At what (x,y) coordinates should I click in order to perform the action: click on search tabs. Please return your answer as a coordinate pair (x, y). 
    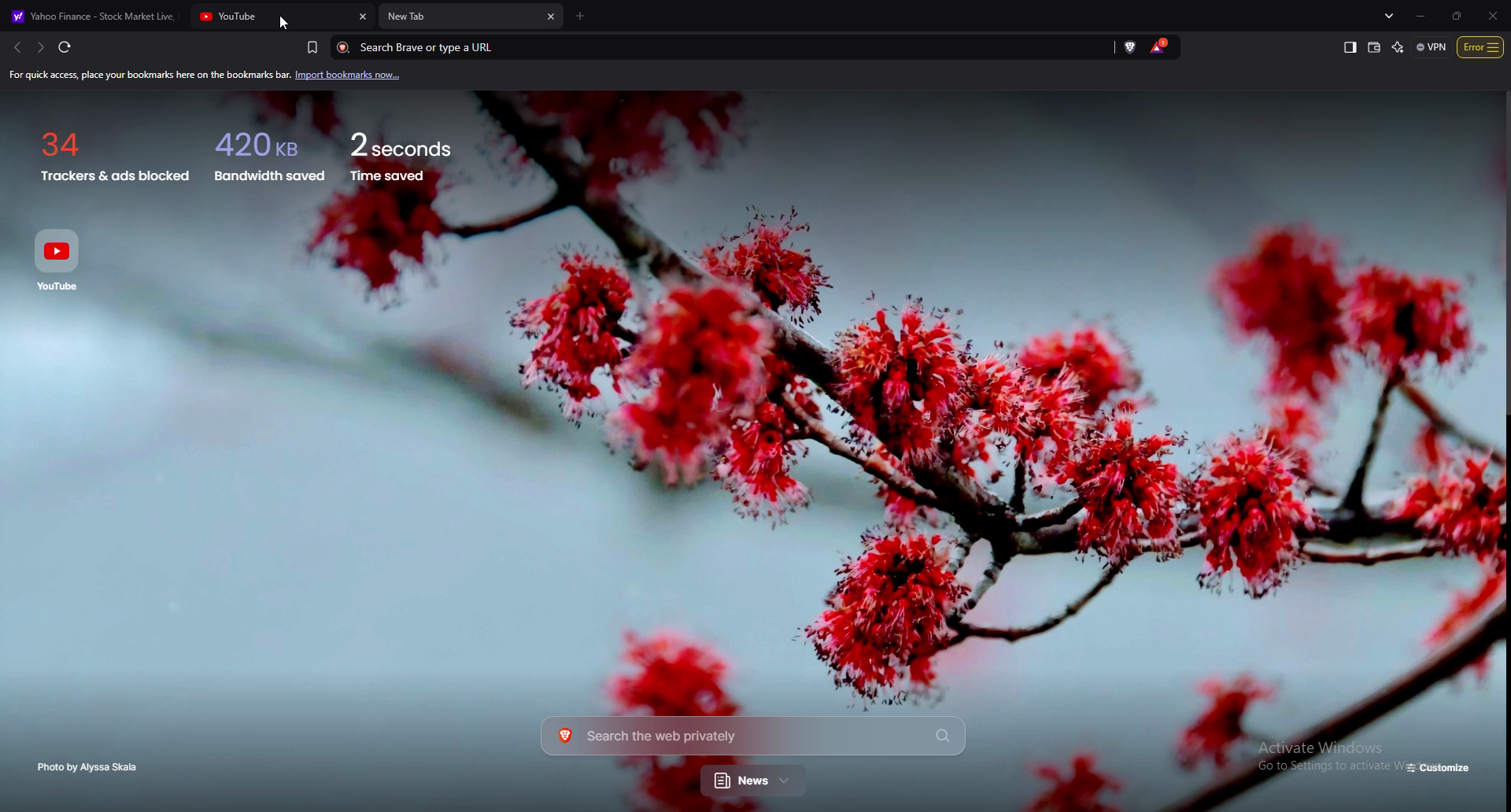
    Looking at the image, I should click on (1391, 15).